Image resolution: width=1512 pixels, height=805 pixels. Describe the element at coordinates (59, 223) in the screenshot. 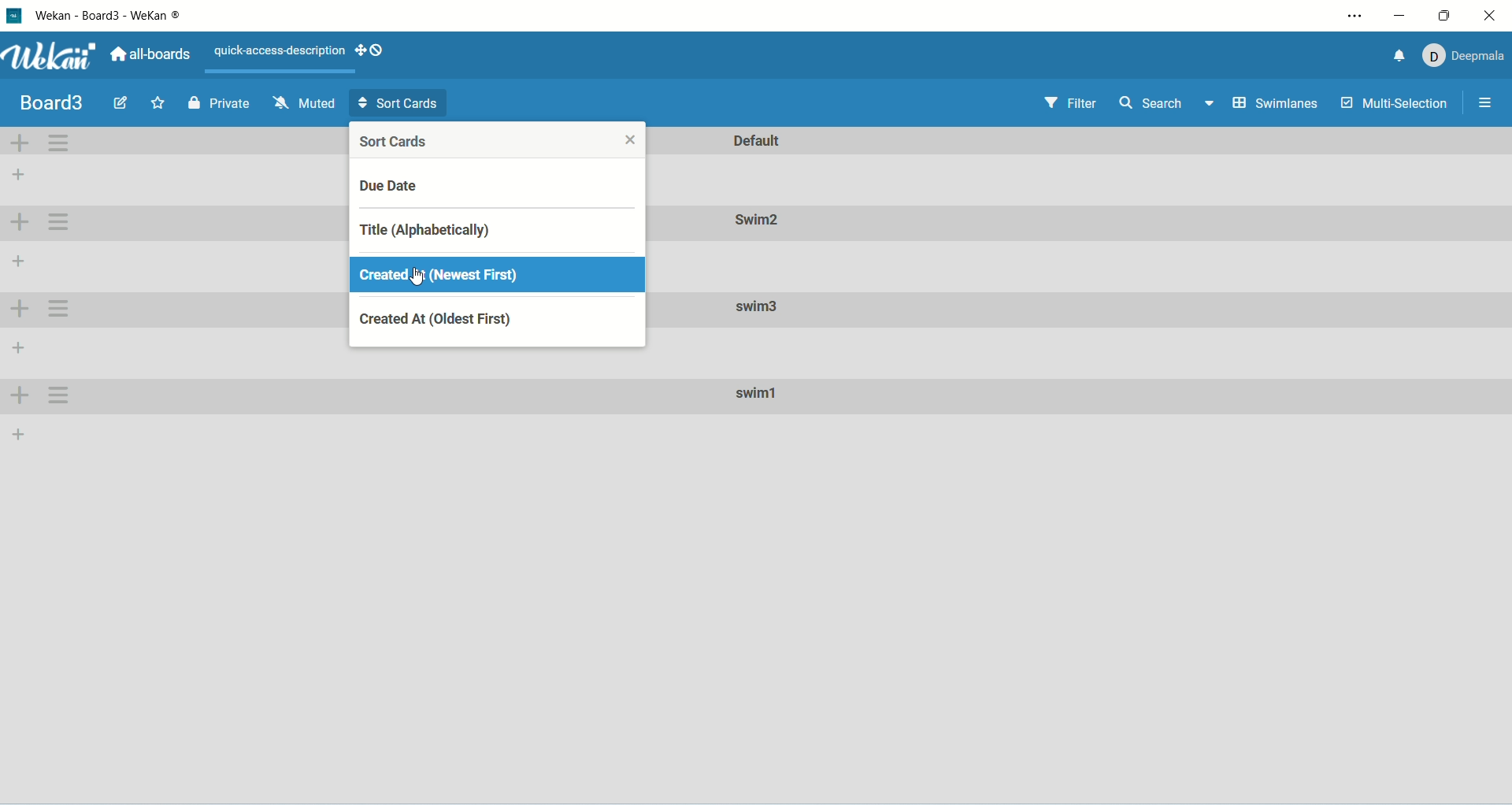

I see `swimlane actions` at that location.